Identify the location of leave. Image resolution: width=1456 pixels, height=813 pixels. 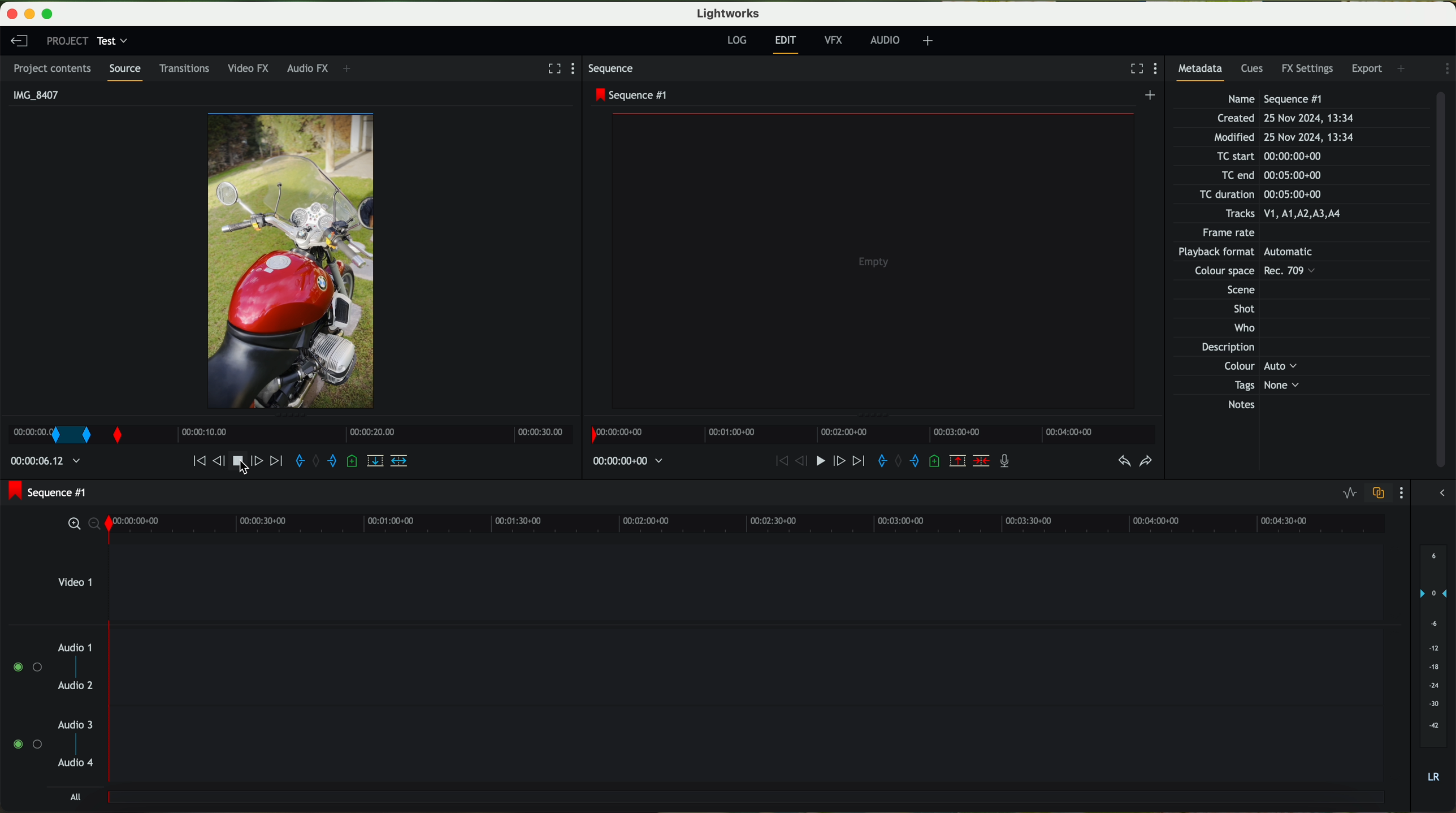
(18, 40).